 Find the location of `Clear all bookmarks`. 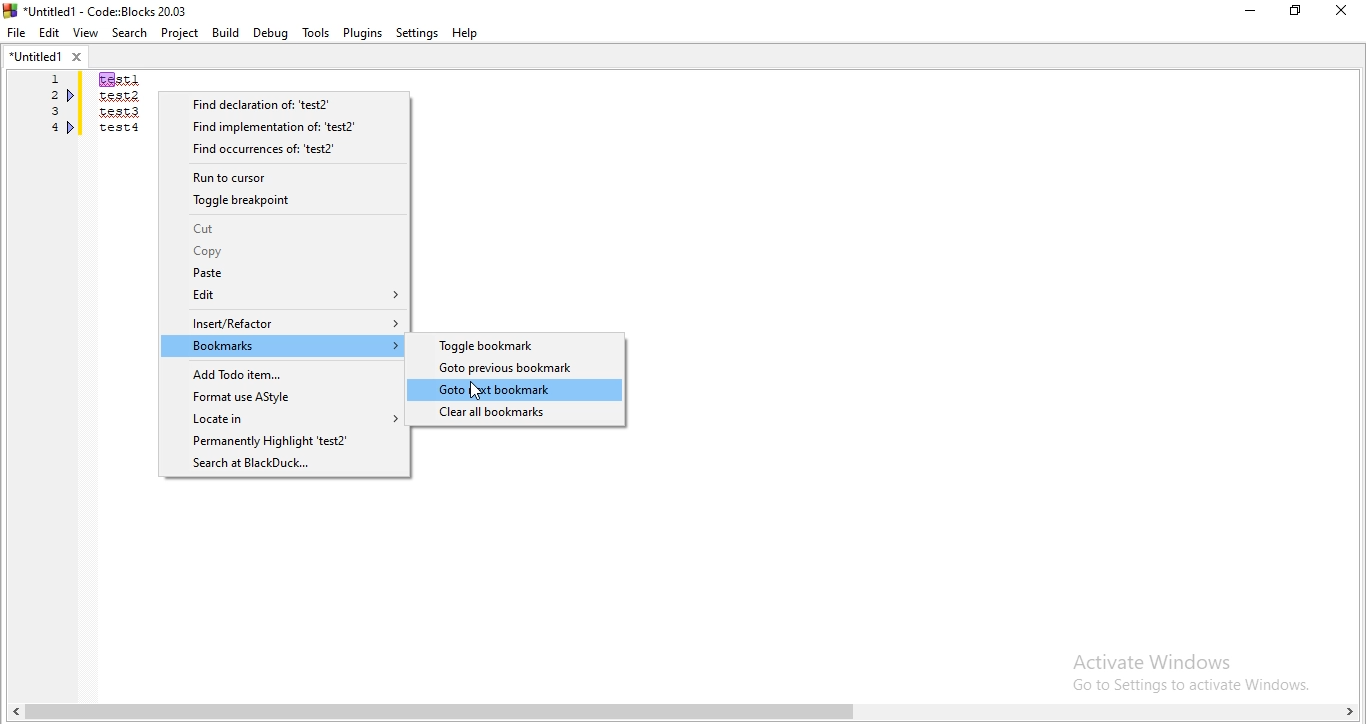

Clear all bookmarks is located at coordinates (517, 414).